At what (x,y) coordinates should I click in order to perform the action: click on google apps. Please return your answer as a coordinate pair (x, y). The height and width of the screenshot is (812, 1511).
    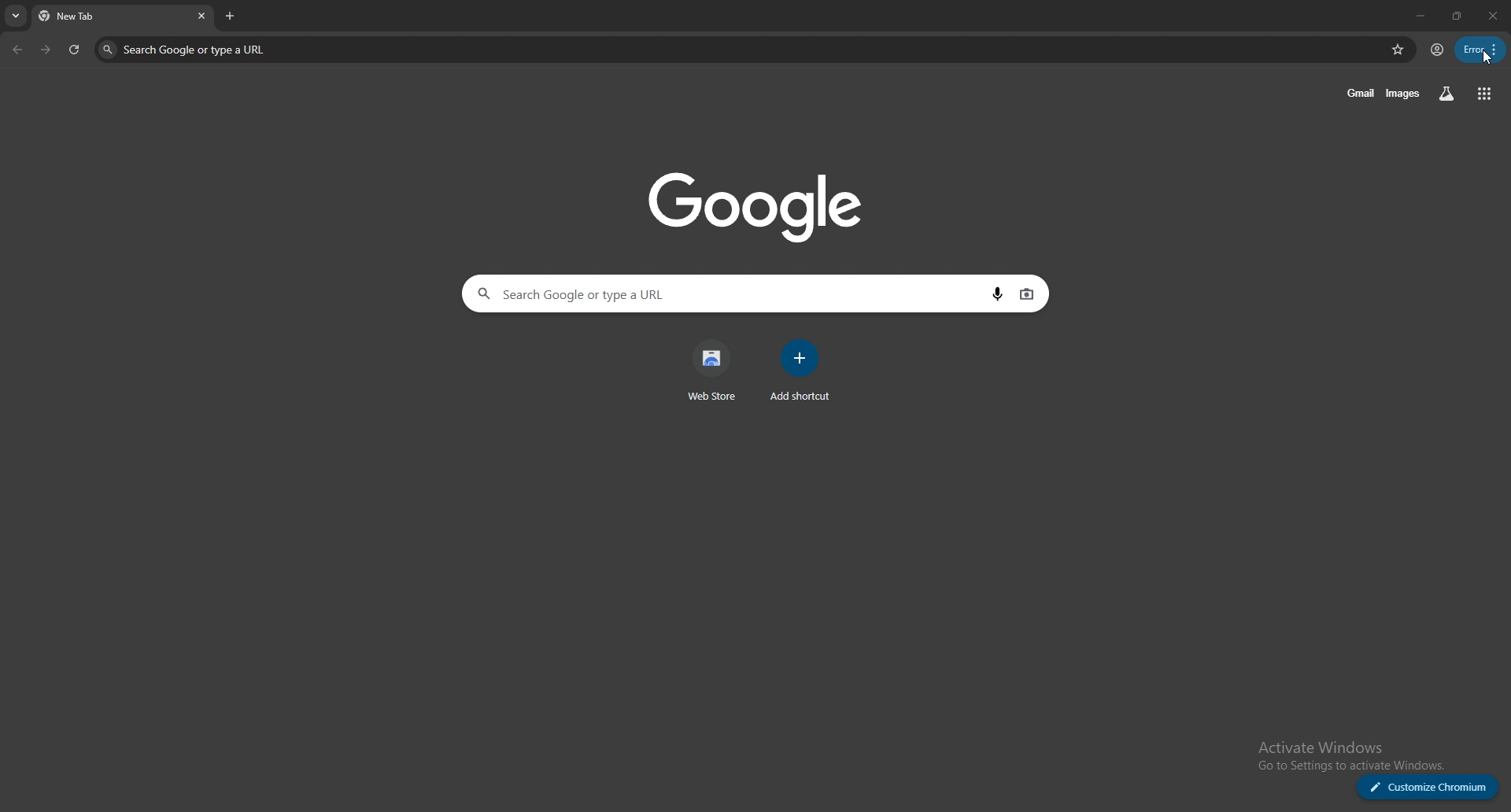
    Looking at the image, I should click on (1483, 94).